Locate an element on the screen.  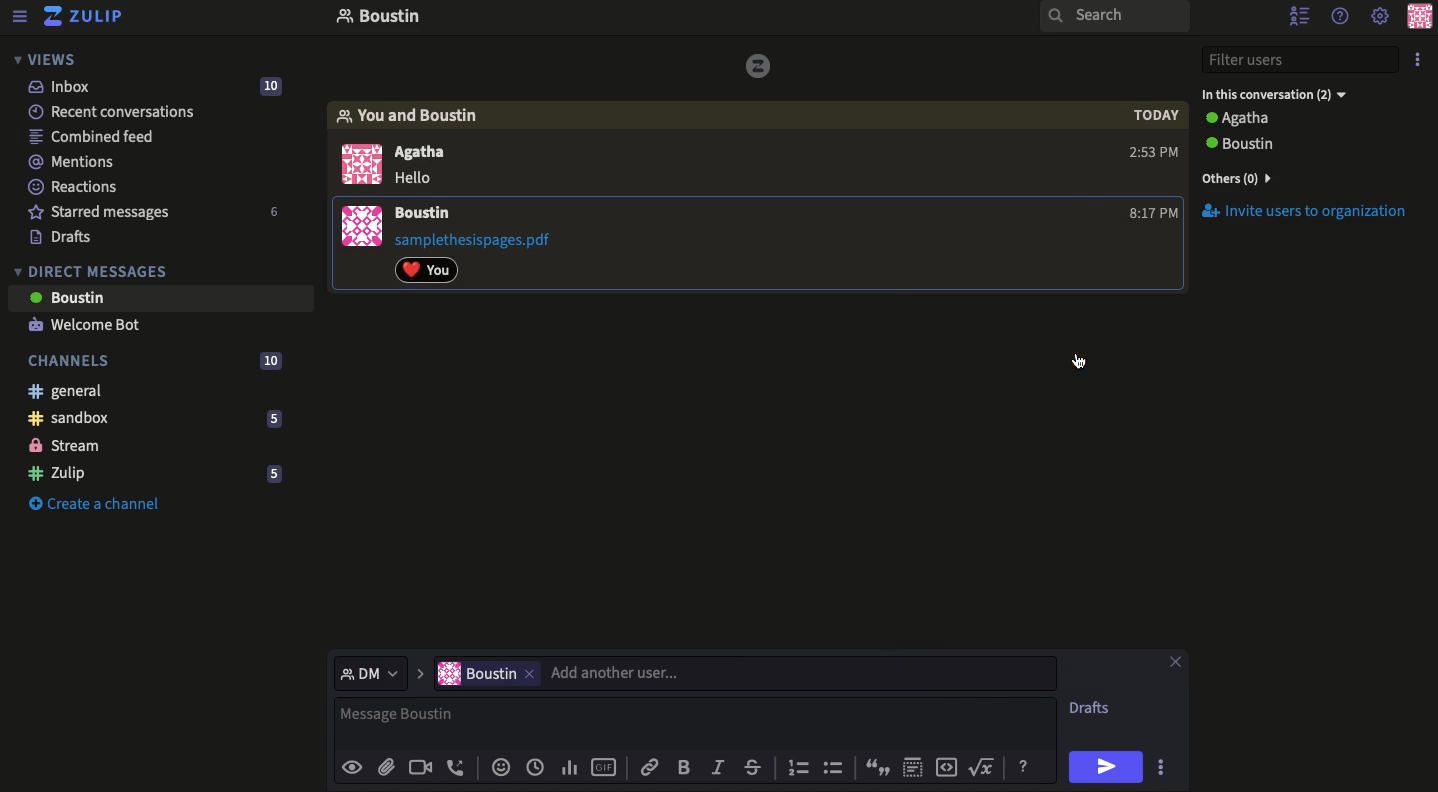
hello is located at coordinates (416, 178).